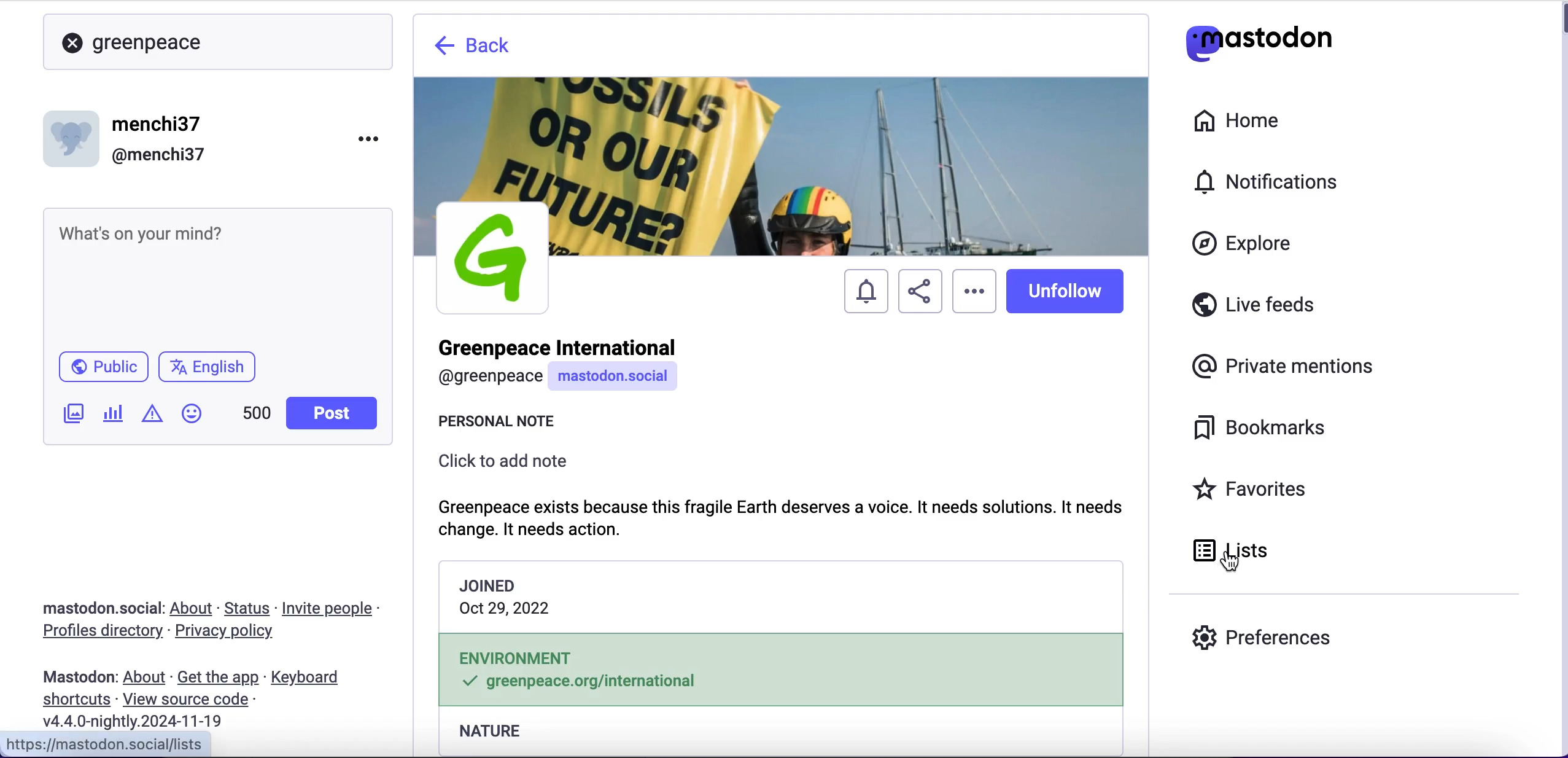 Image resolution: width=1568 pixels, height=758 pixels. I want to click on notifications, so click(1272, 181).